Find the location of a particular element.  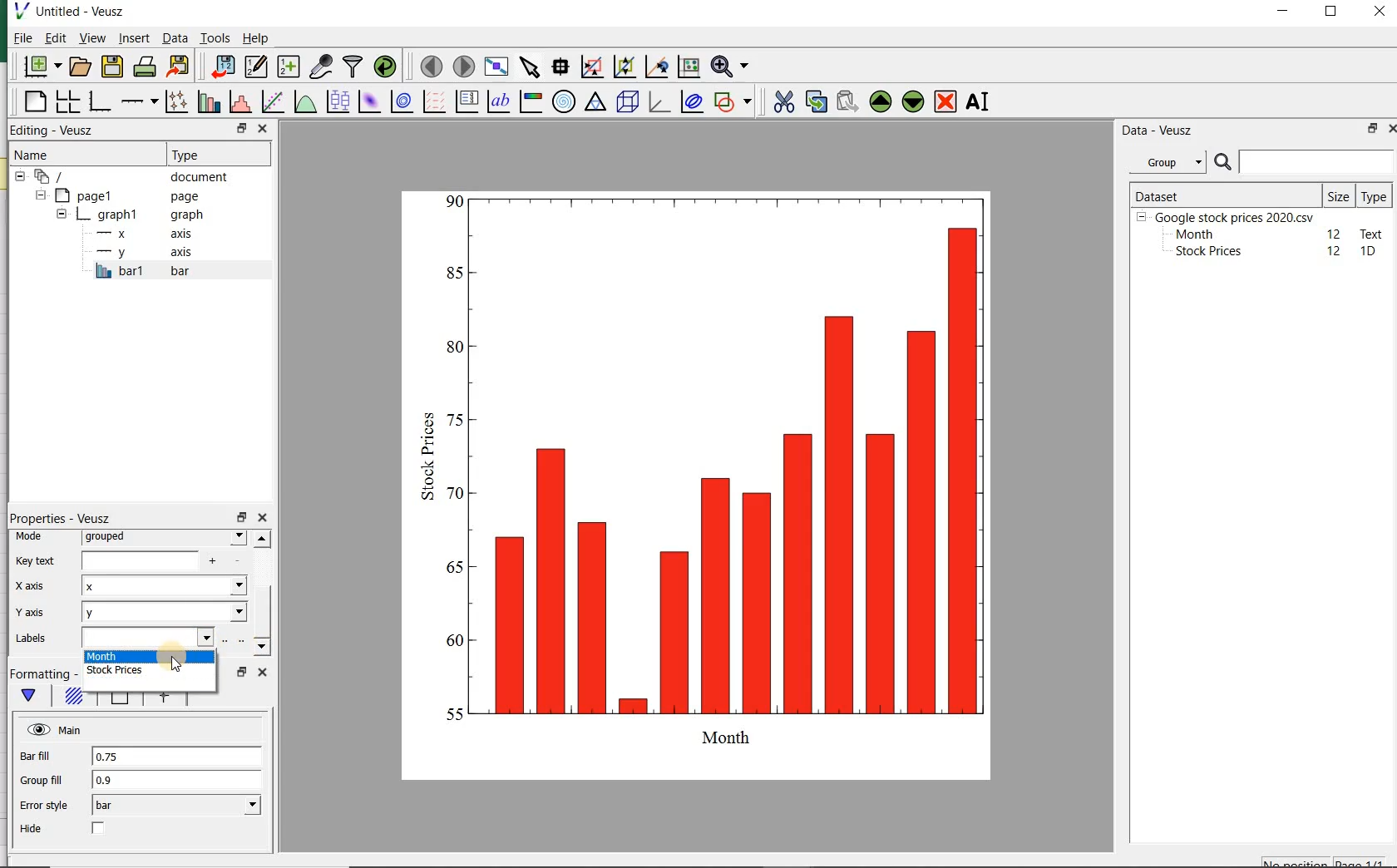

Tools is located at coordinates (215, 38).